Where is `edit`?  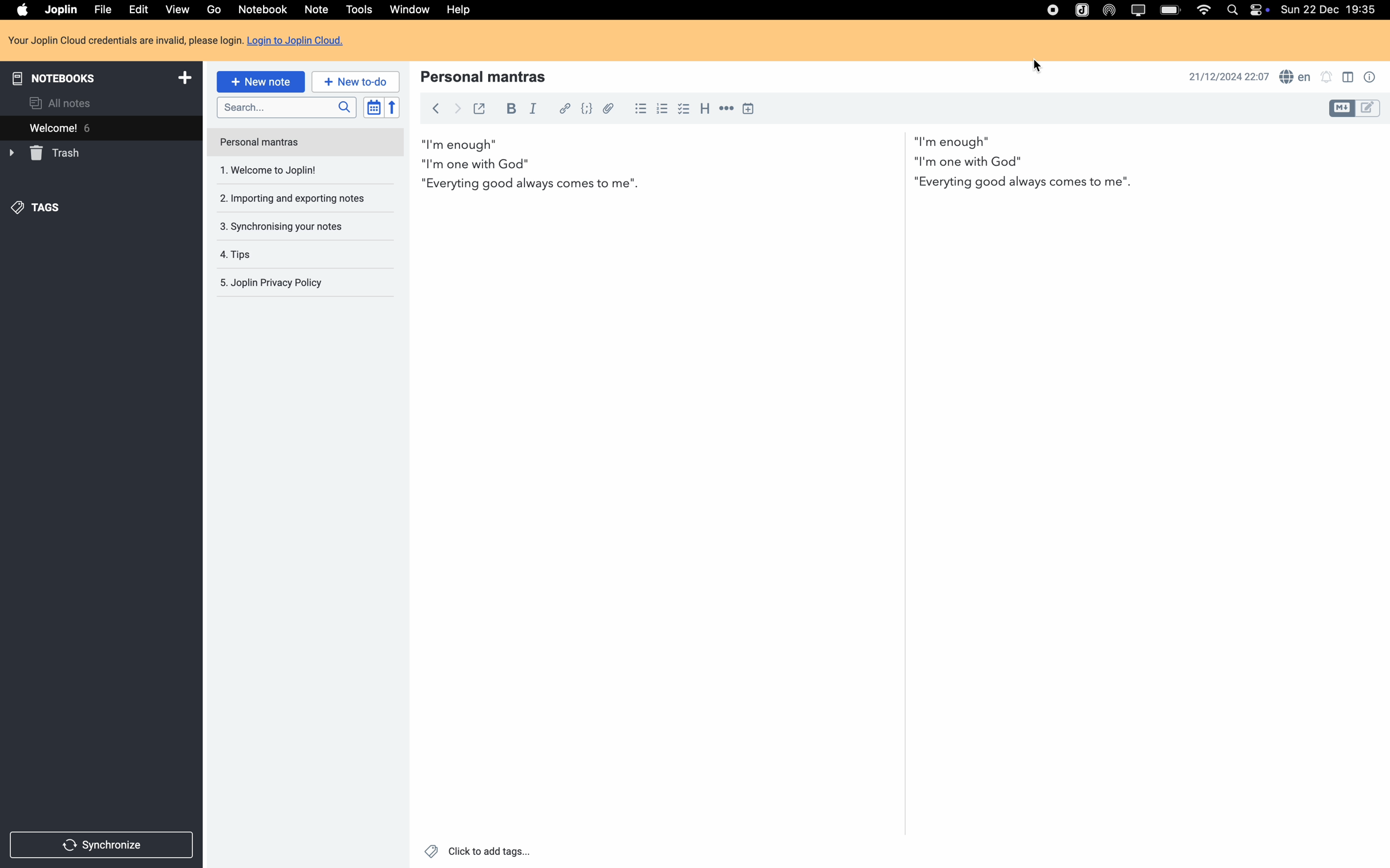
edit is located at coordinates (138, 9).